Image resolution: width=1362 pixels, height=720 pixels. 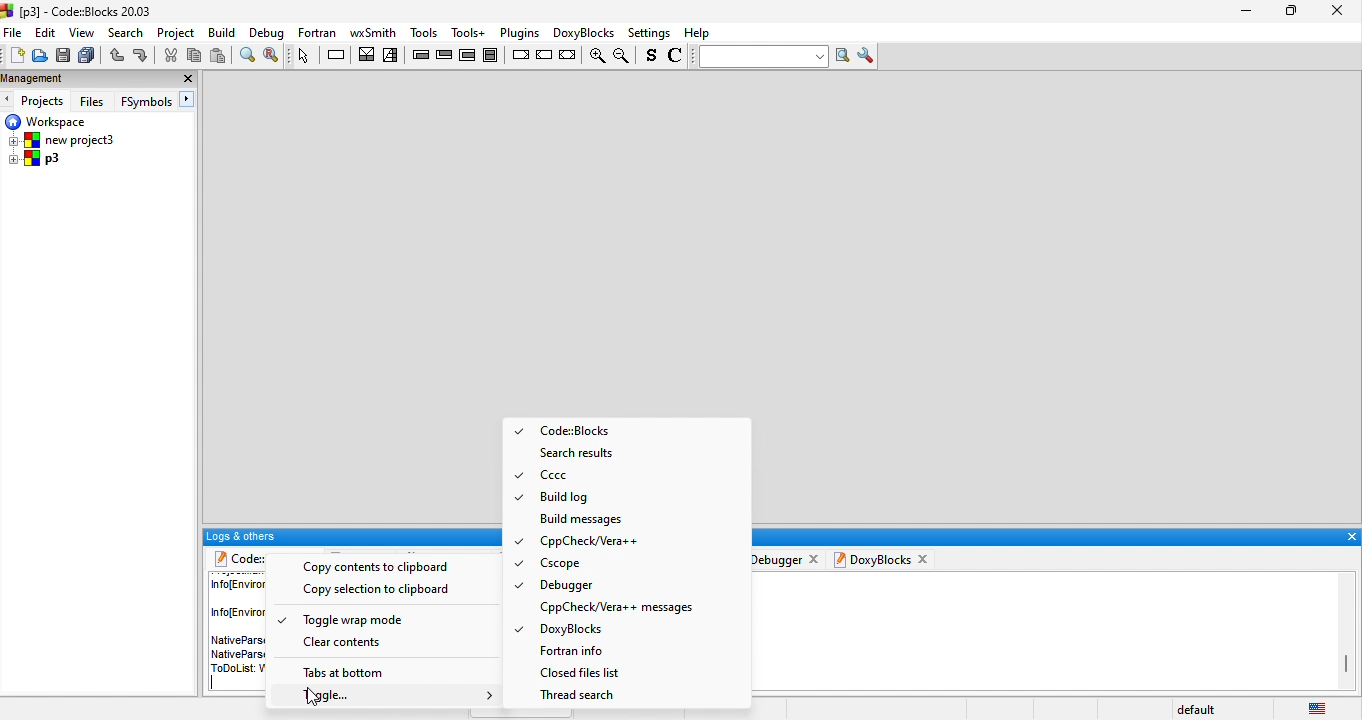 I want to click on redo, so click(x=143, y=56).